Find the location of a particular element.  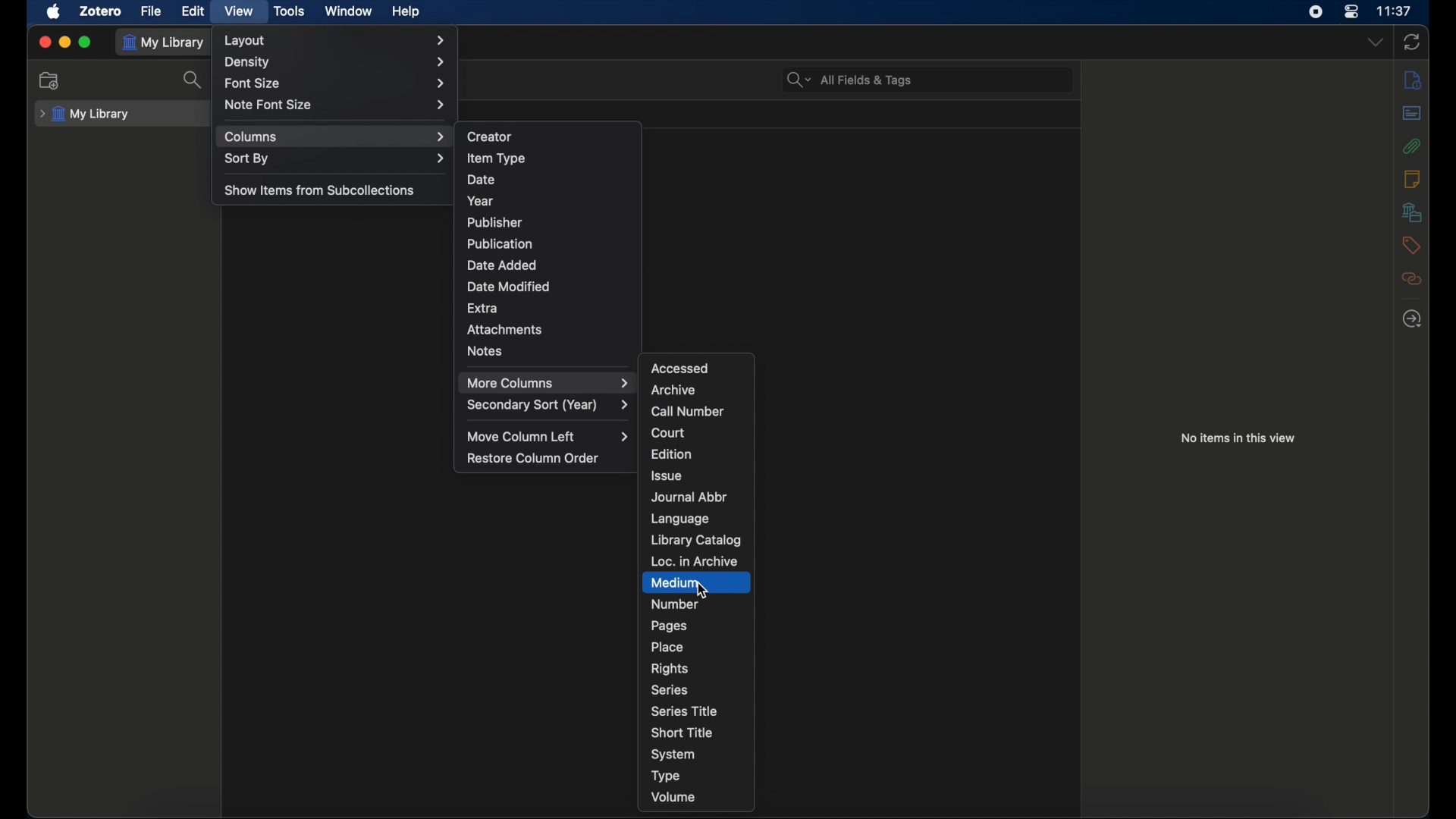

dropdown is located at coordinates (1374, 41).